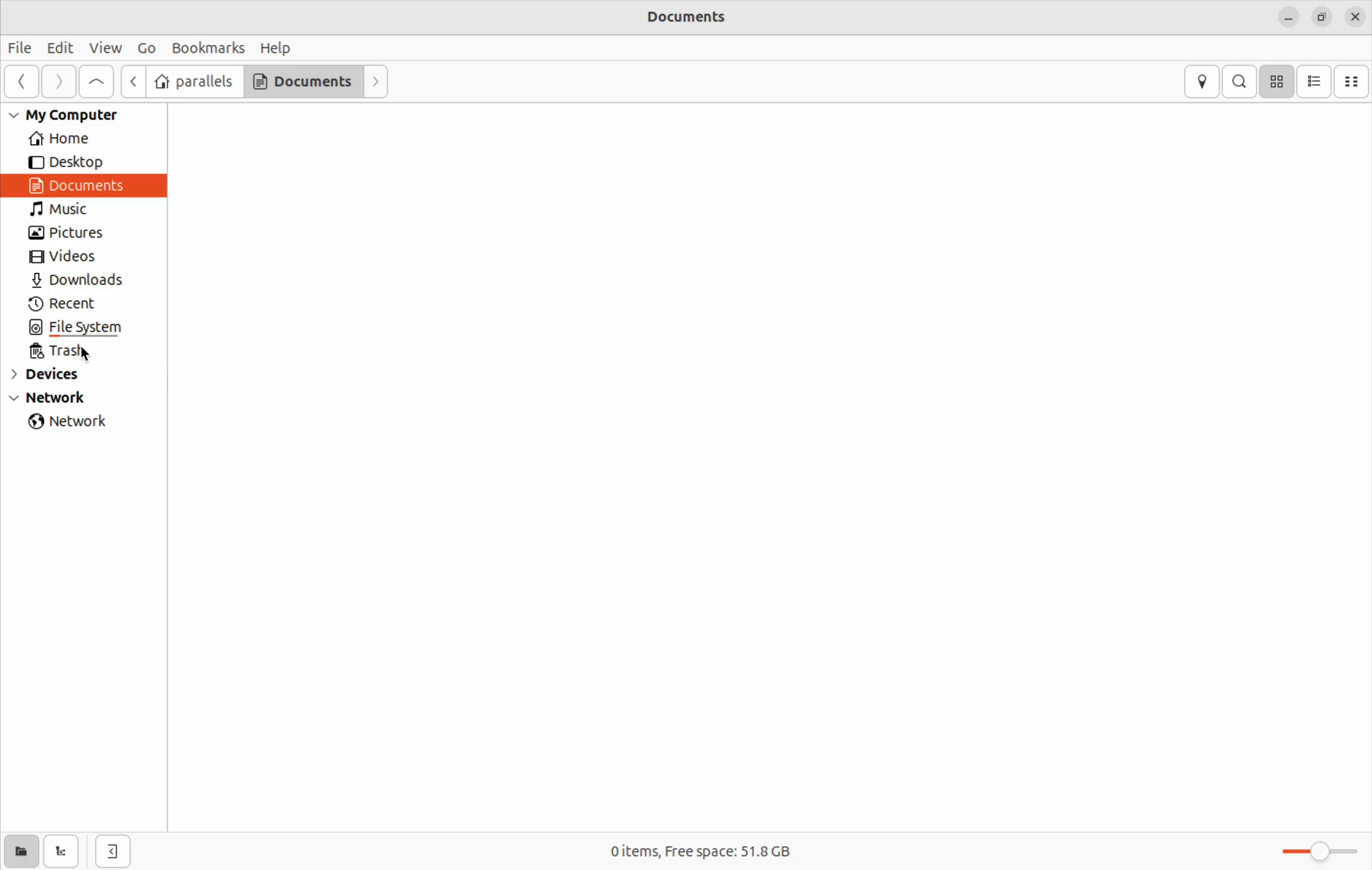 Image resolution: width=1372 pixels, height=870 pixels. What do you see at coordinates (378, 82) in the screenshot?
I see `Forward` at bounding box center [378, 82].